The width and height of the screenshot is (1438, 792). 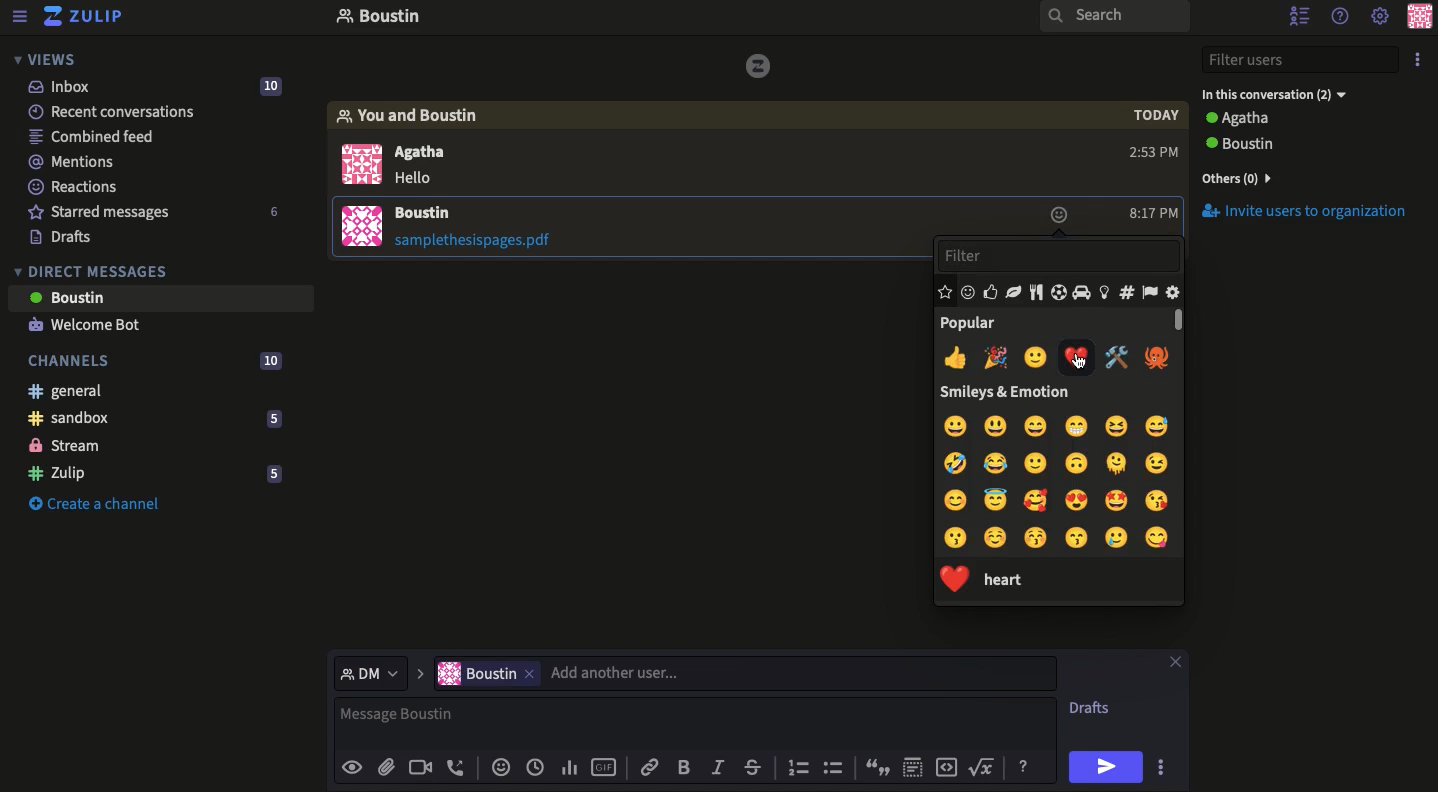 What do you see at coordinates (1152, 153) in the screenshot?
I see `2:53 PM` at bounding box center [1152, 153].